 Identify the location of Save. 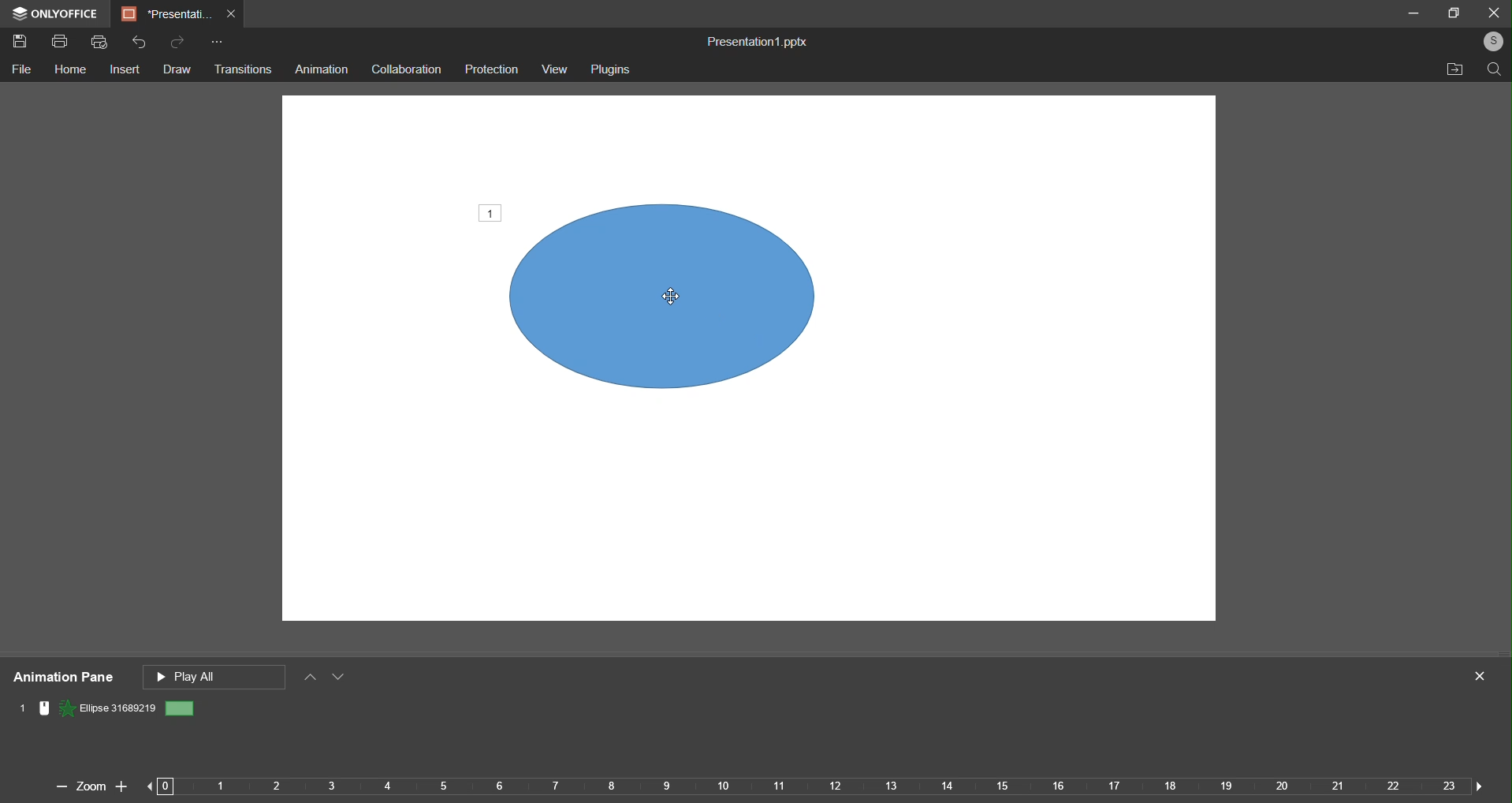
(22, 43).